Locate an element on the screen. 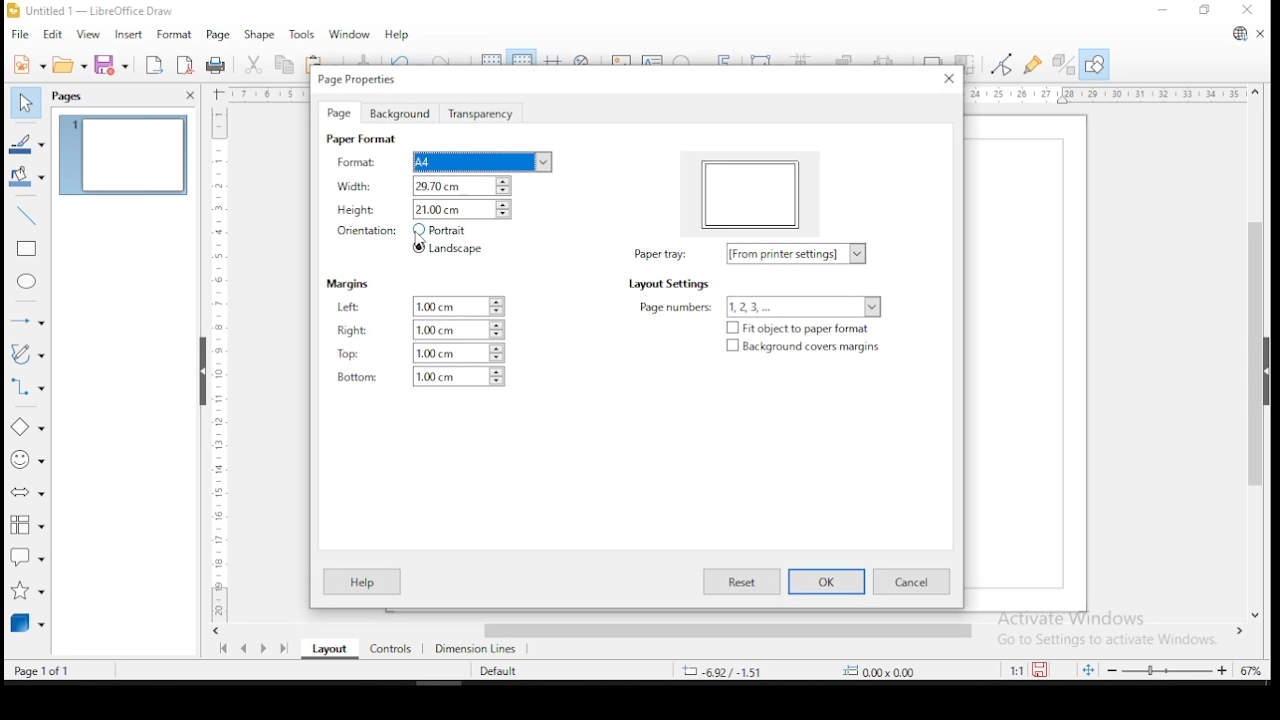  show helplines when moving is located at coordinates (555, 60).